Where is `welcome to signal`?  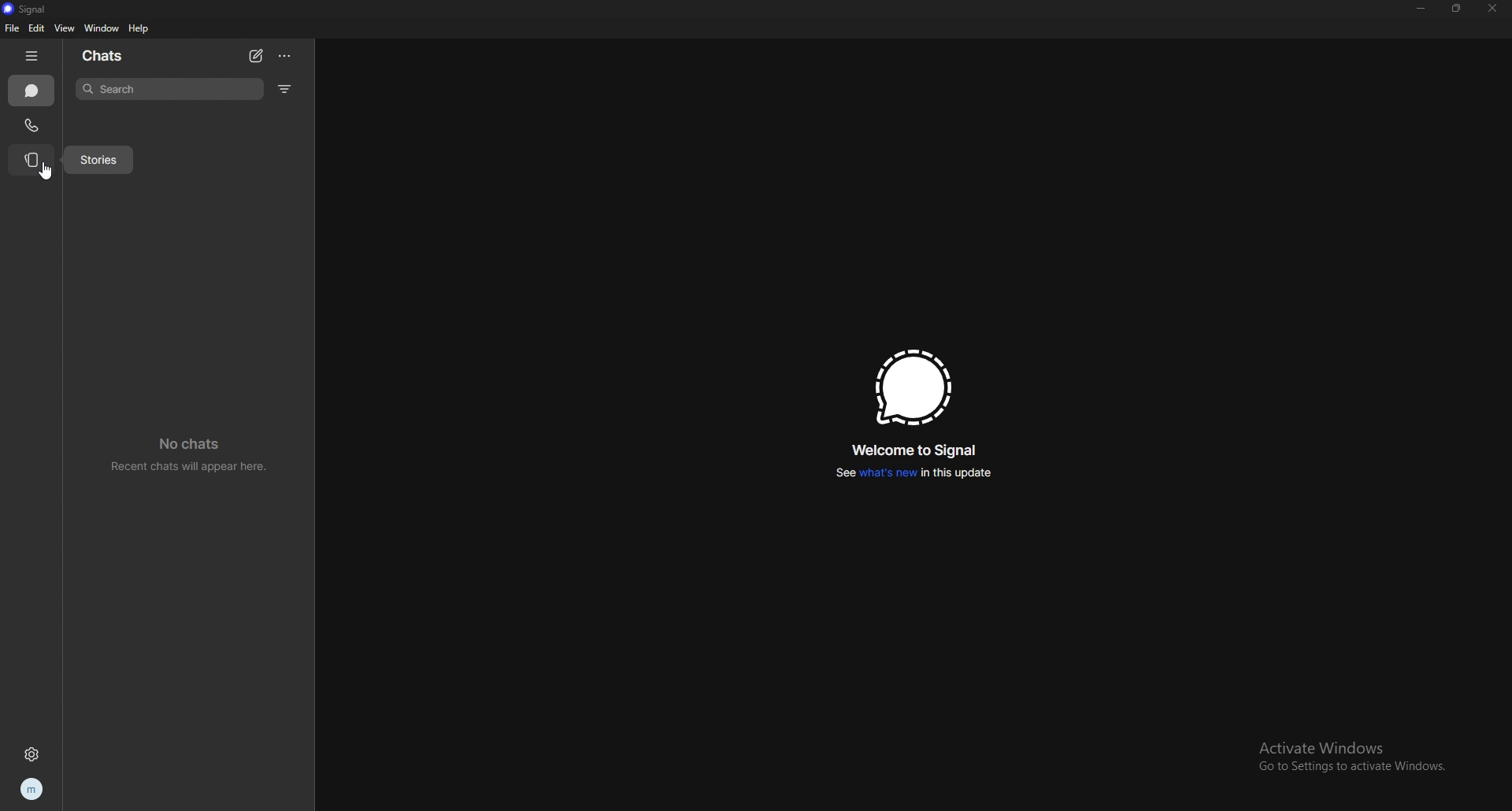 welcome to signal is located at coordinates (915, 450).